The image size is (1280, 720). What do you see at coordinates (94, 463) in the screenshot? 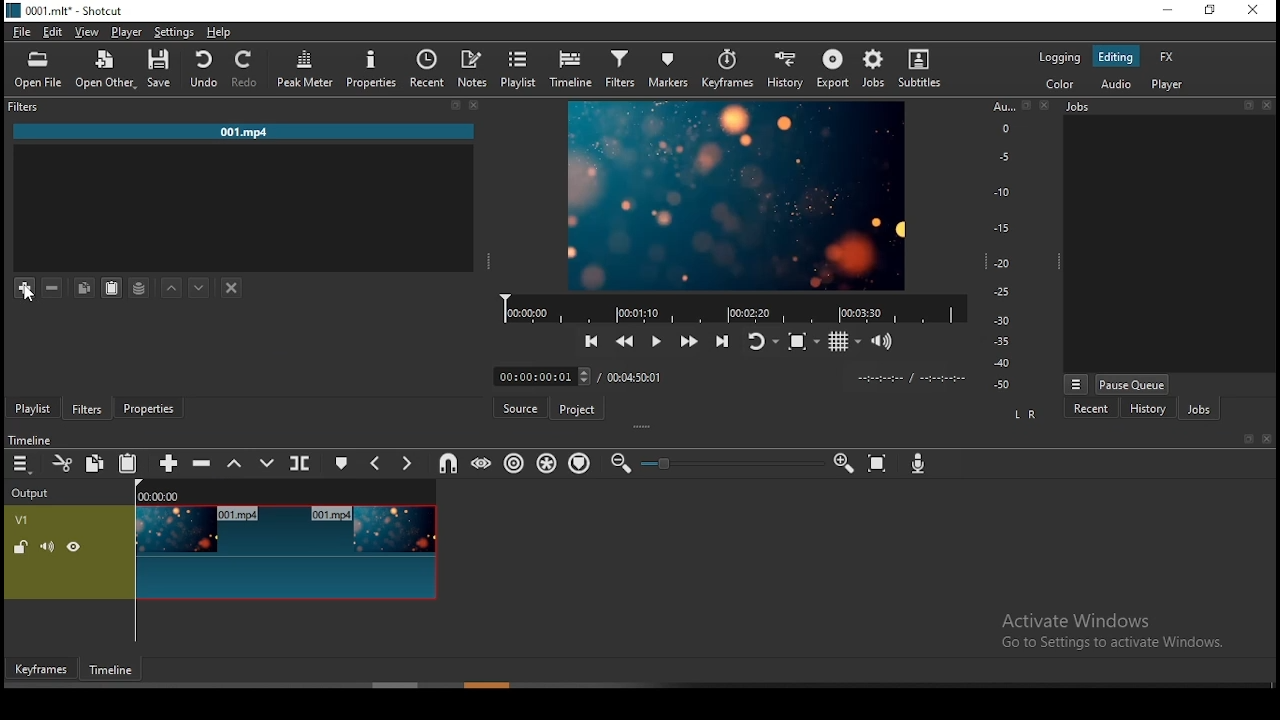
I see `copy` at bounding box center [94, 463].